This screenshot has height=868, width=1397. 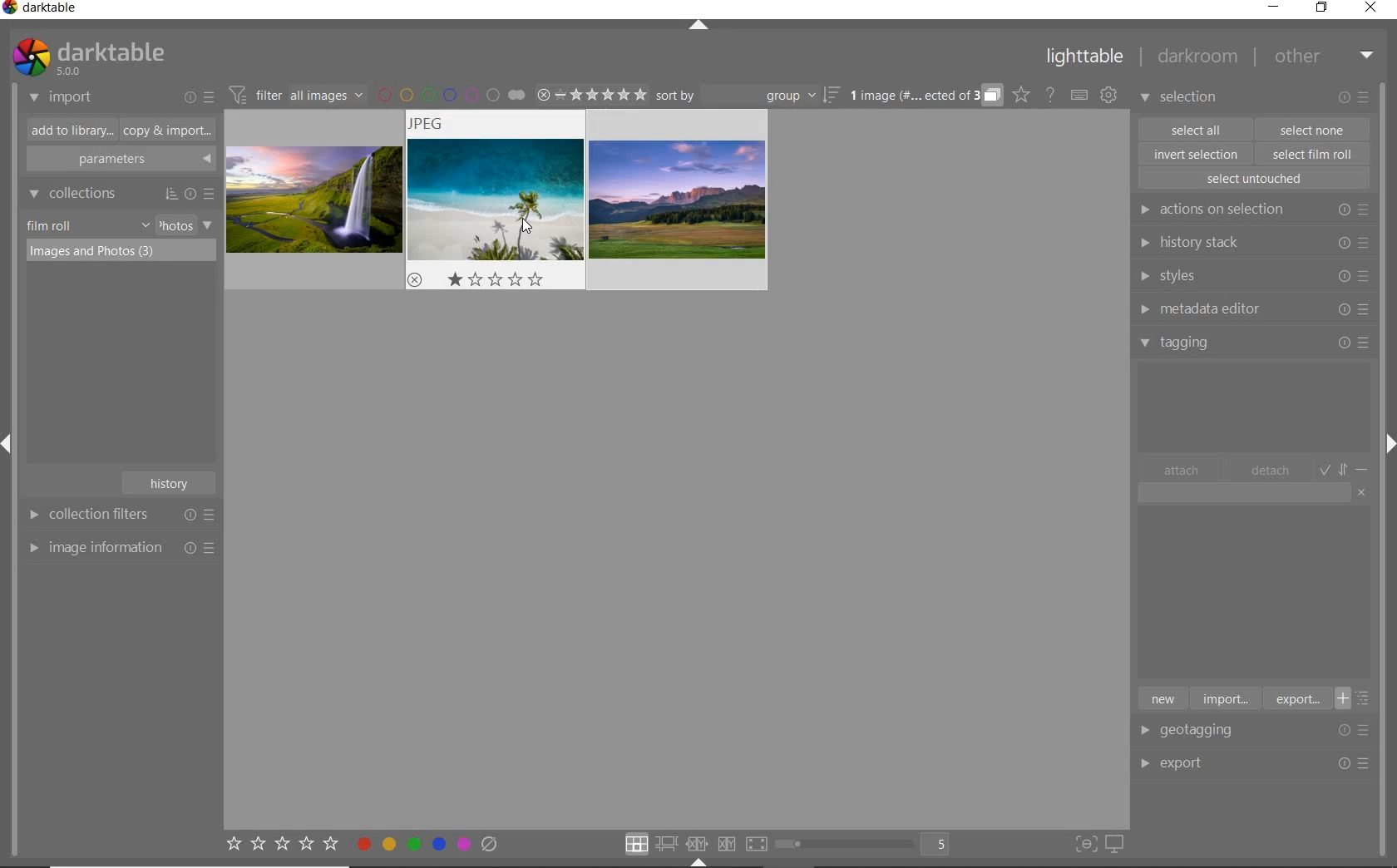 I want to click on select film roll, so click(x=1313, y=152).